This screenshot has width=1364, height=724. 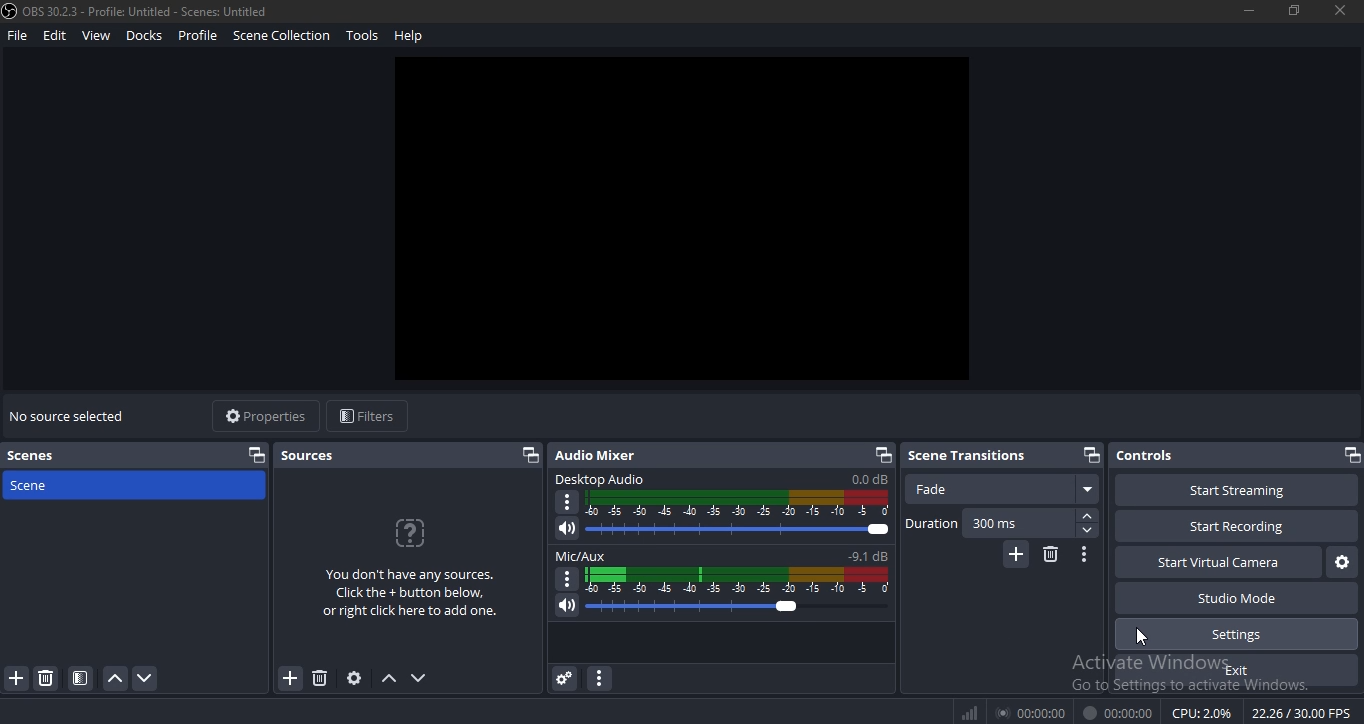 I want to click on delete scene transition, so click(x=1050, y=555).